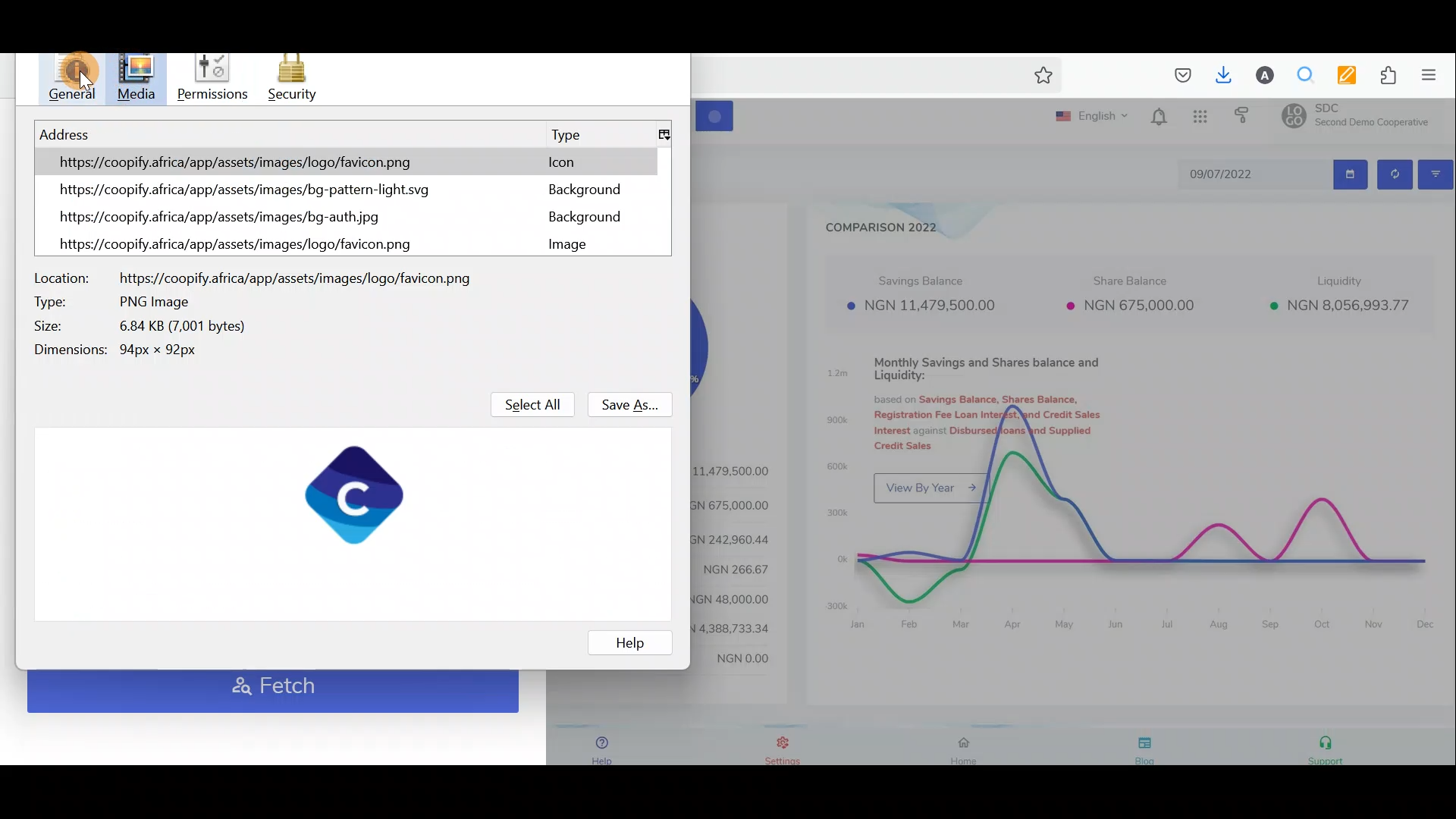 This screenshot has height=819, width=1456. I want to click on Dimensions, so click(133, 348).